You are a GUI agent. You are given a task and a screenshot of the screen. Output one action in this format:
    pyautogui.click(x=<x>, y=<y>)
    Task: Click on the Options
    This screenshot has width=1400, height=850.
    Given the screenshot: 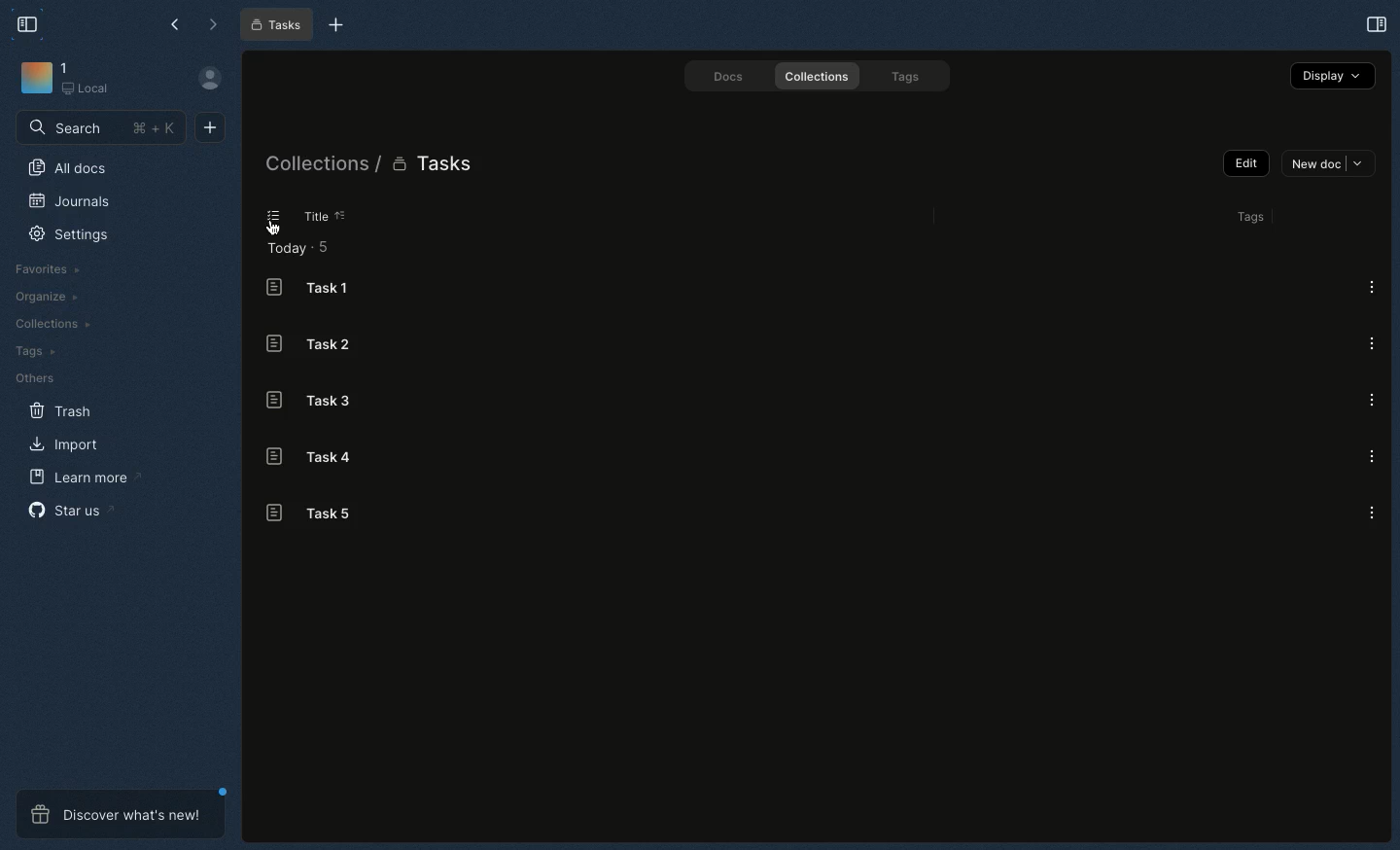 What is the action you would take?
    pyautogui.click(x=1372, y=341)
    